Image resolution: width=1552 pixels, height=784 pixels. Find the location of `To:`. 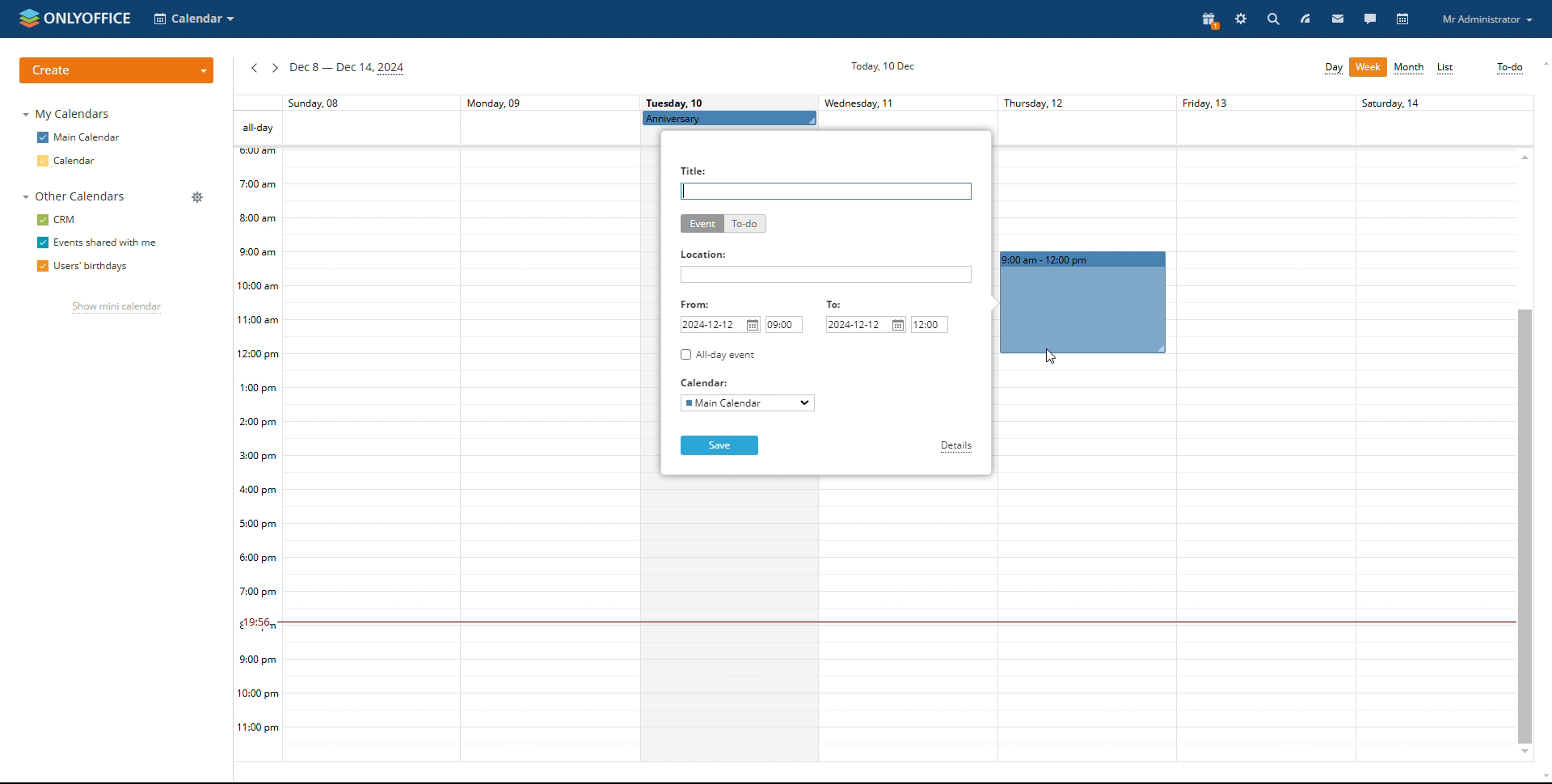

To: is located at coordinates (837, 306).